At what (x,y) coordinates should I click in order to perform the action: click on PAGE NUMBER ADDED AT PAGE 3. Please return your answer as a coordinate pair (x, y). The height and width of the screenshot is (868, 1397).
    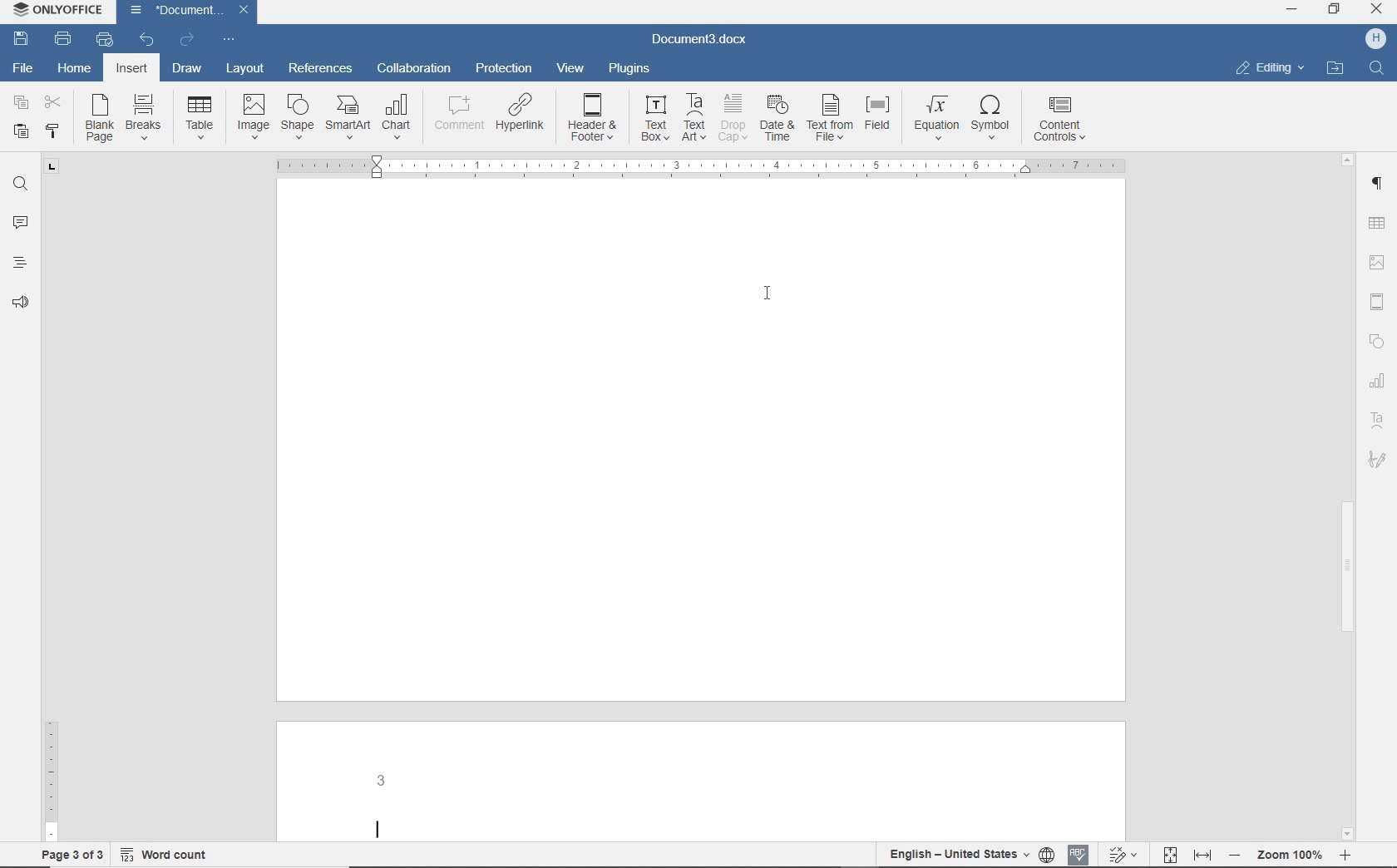
    Looking at the image, I should click on (384, 781).